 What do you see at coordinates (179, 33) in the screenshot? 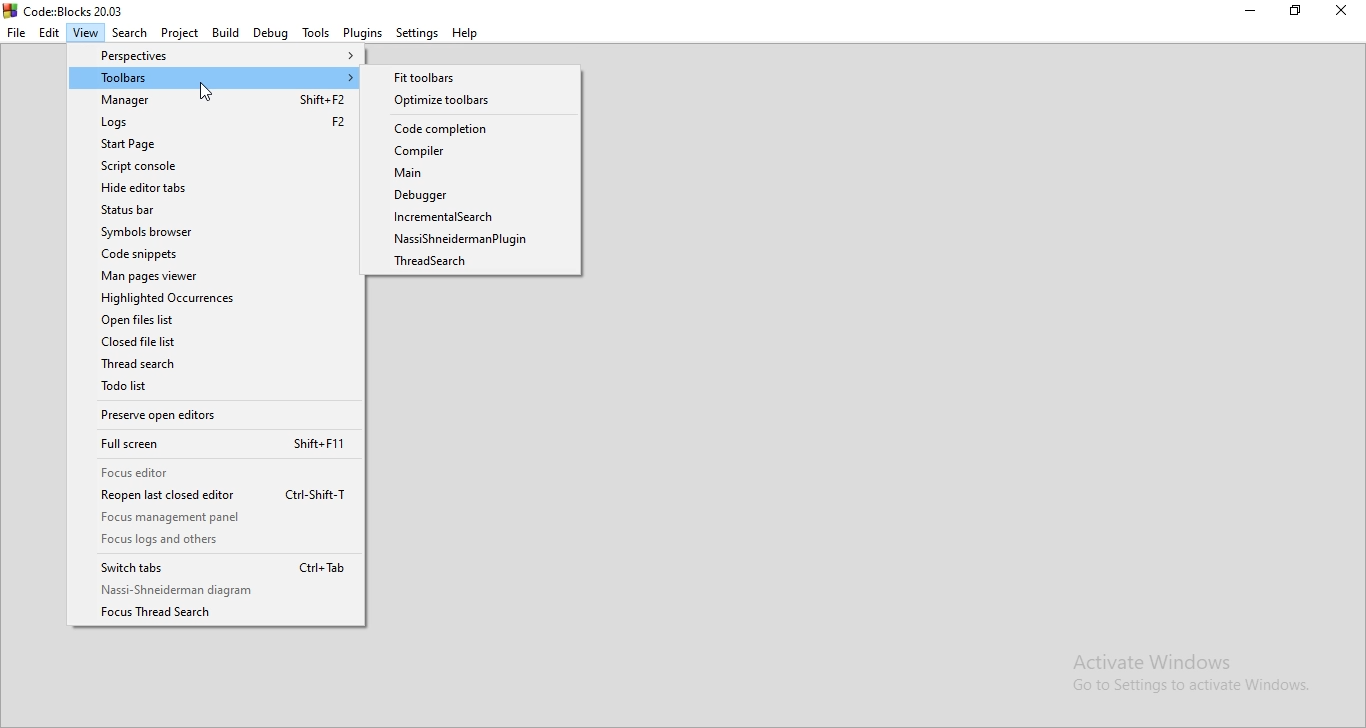
I see `Project ` at bounding box center [179, 33].